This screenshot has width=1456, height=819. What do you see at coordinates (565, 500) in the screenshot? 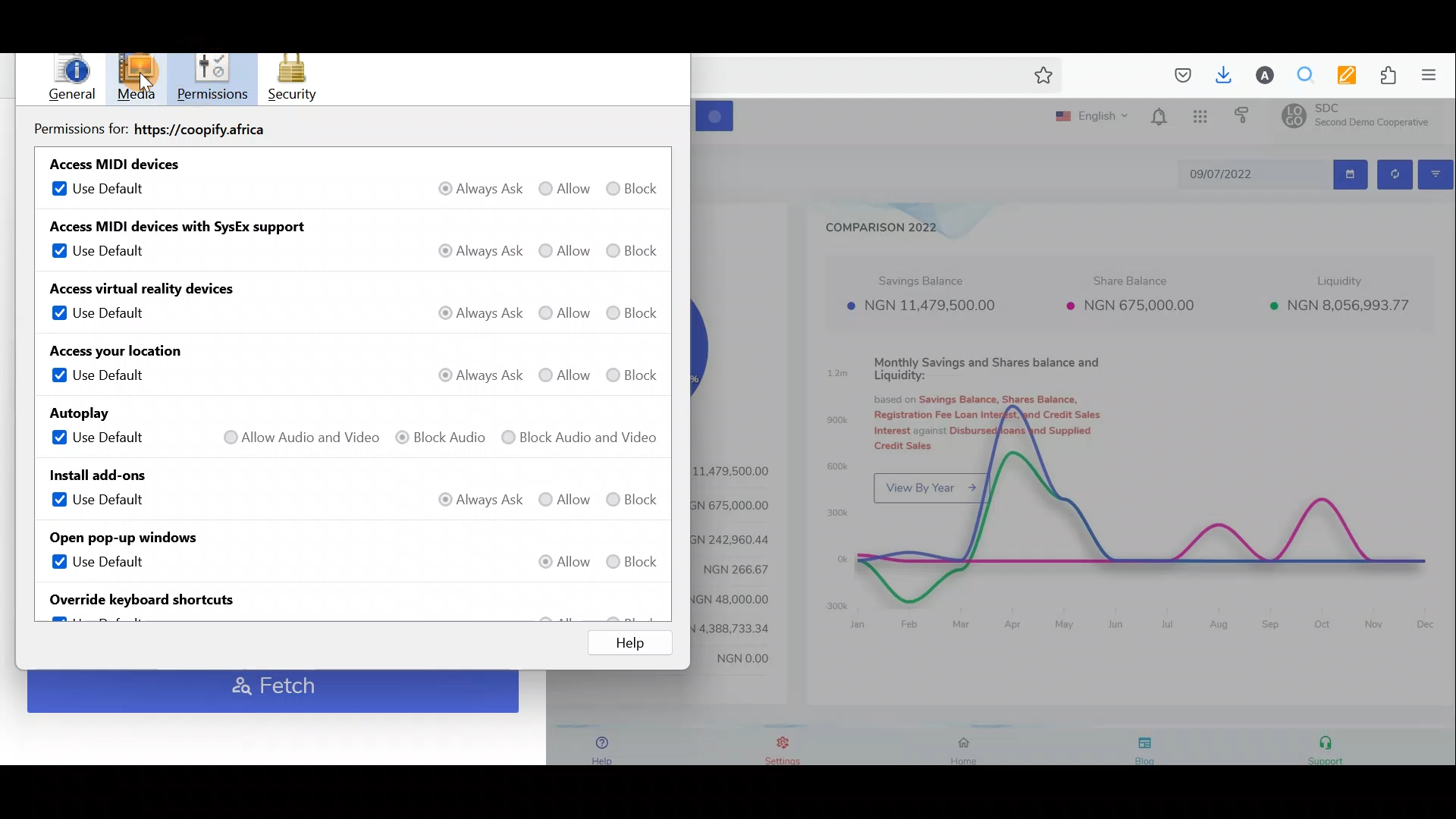
I see `Allow` at bounding box center [565, 500].